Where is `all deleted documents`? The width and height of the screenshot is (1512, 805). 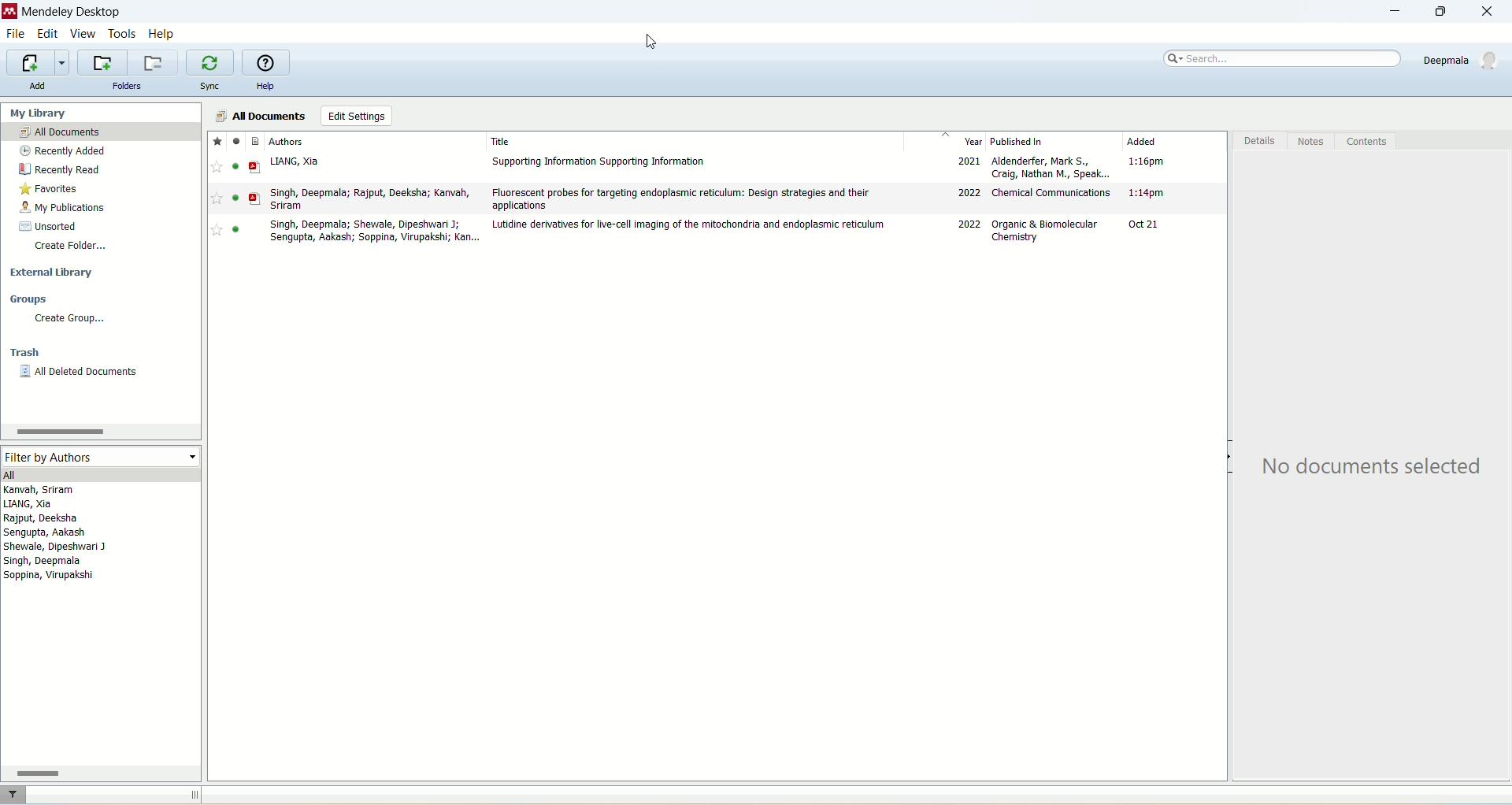
all deleted documents is located at coordinates (83, 371).